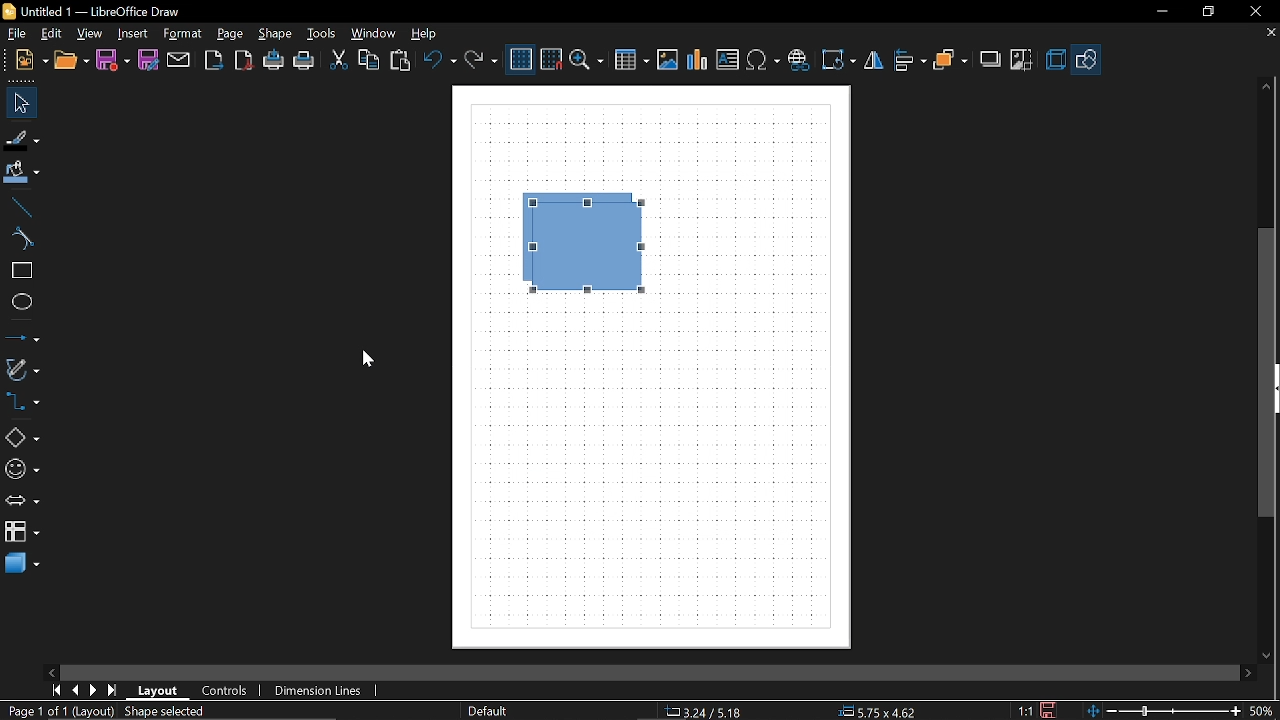 The width and height of the screenshot is (1280, 720). I want to click on Window, so click(374, 34).